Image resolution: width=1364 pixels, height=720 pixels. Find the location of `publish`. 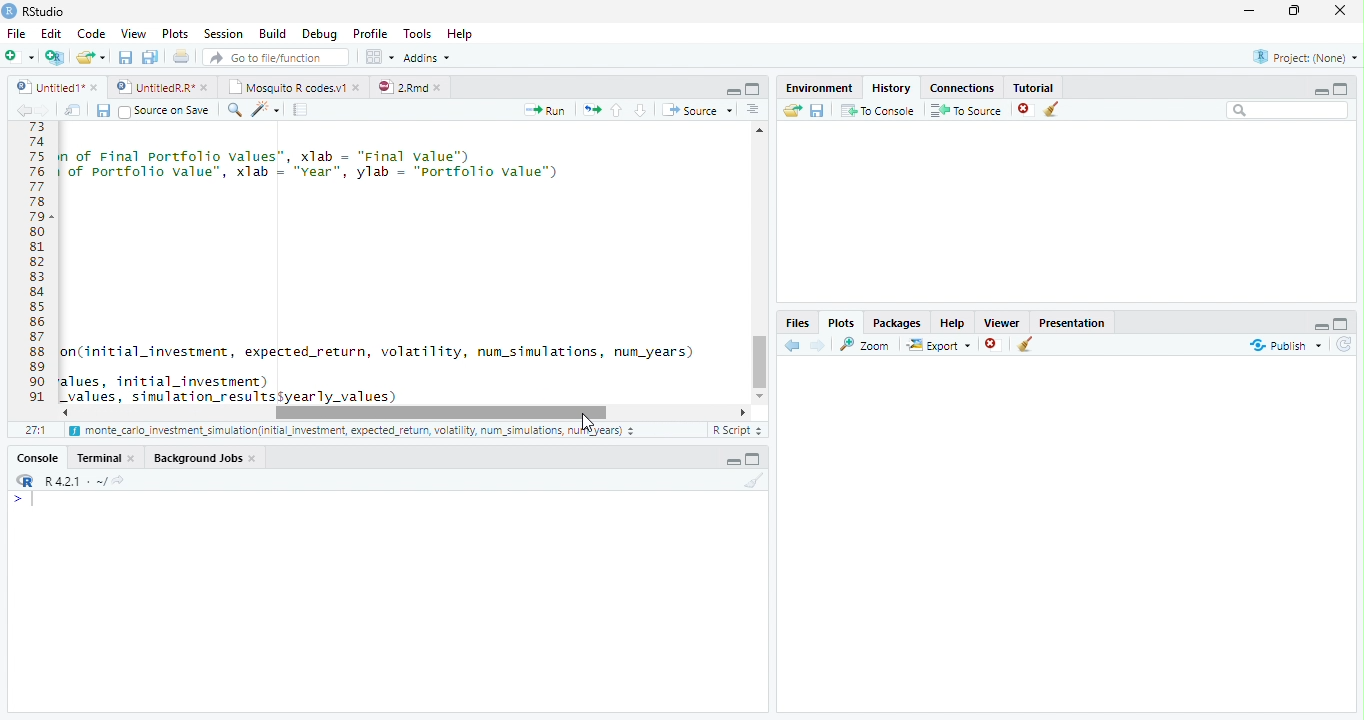

publish is located at coordinates (1285, 345).